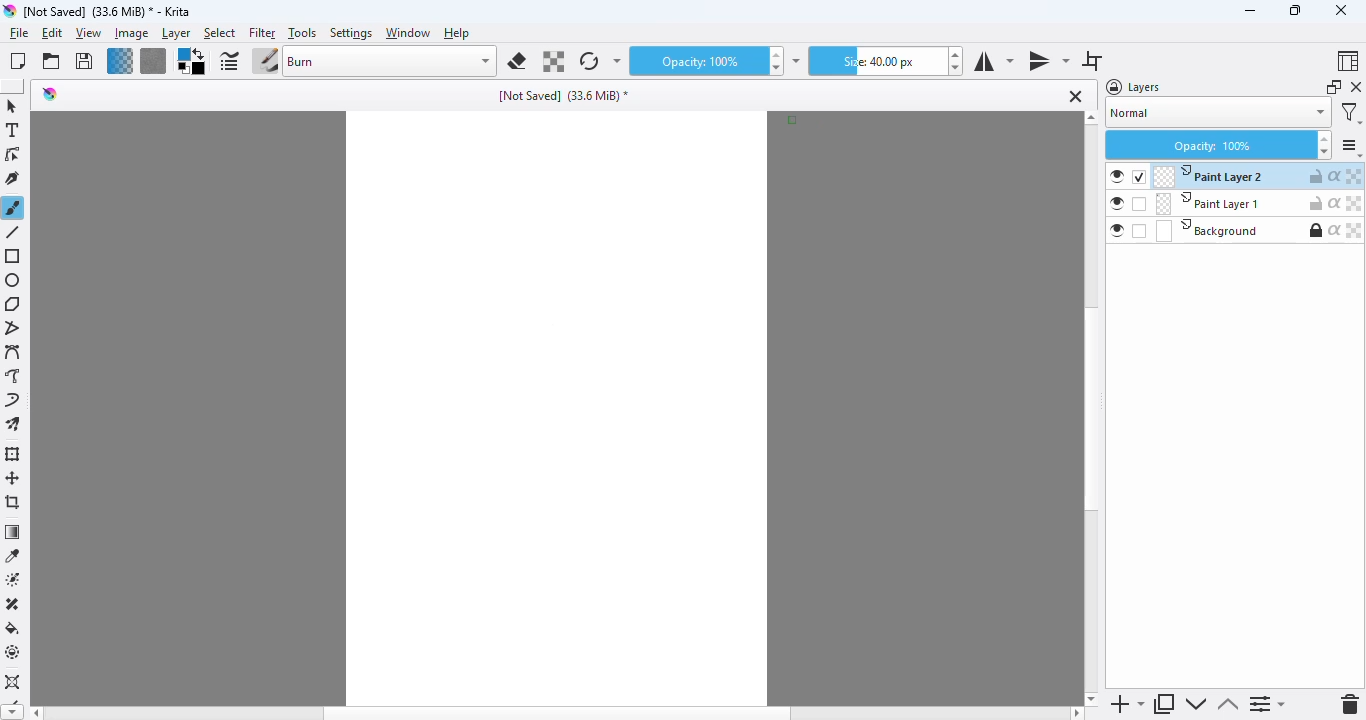 This screenshot has height=720, width=1366. Describe the element at coordinates (565, 96) in the screenshot. I see `title` at that location.